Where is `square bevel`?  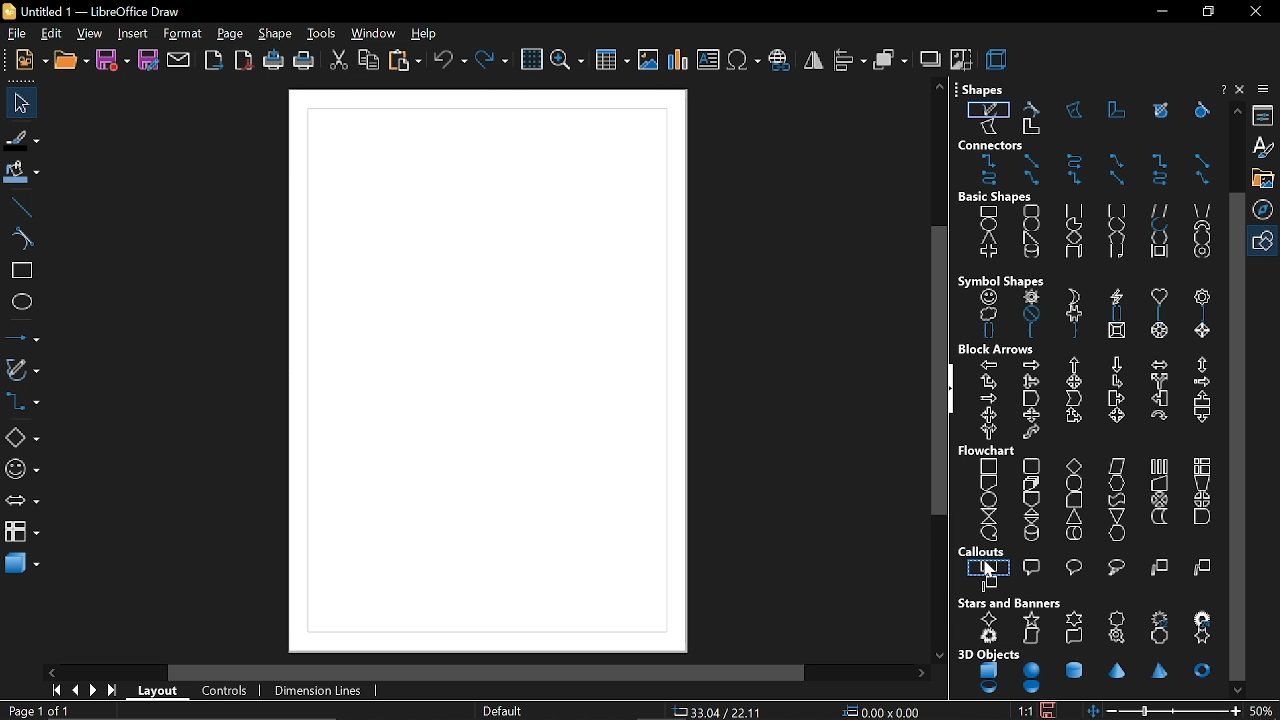
square bevel is located at coordinates (1116, 335).